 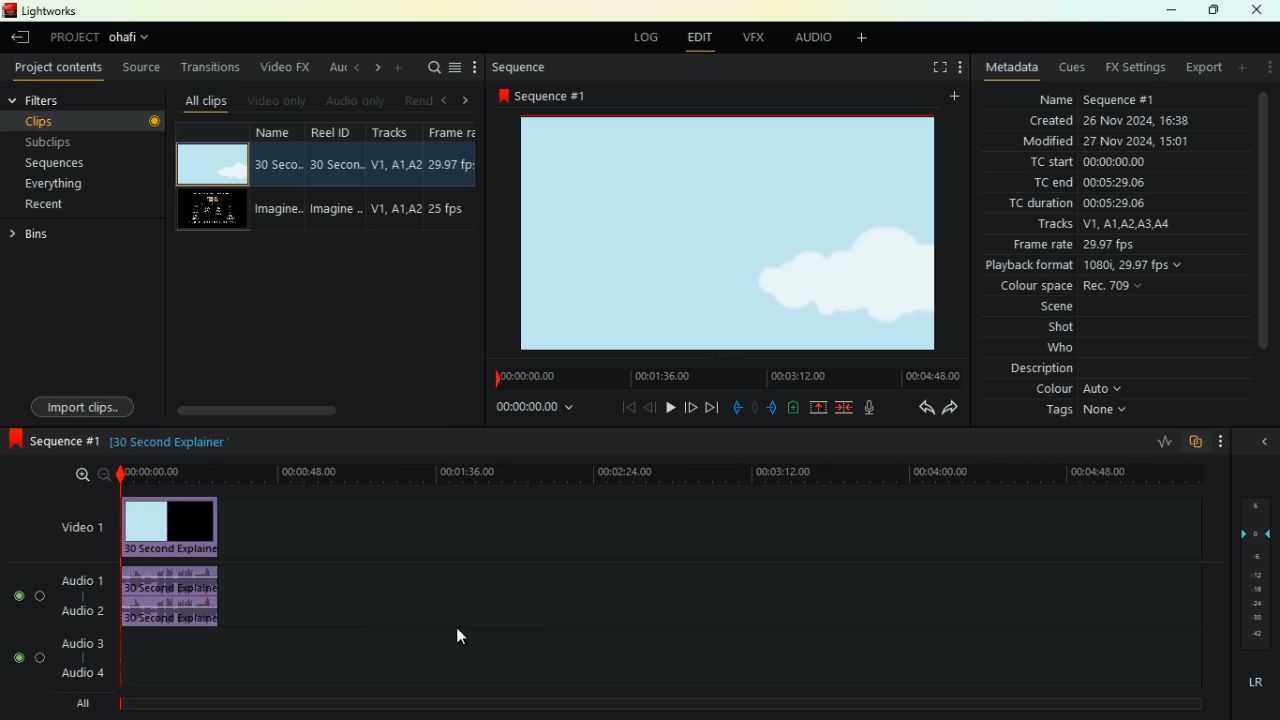 I want to click on project, so click(x=106, y=37).